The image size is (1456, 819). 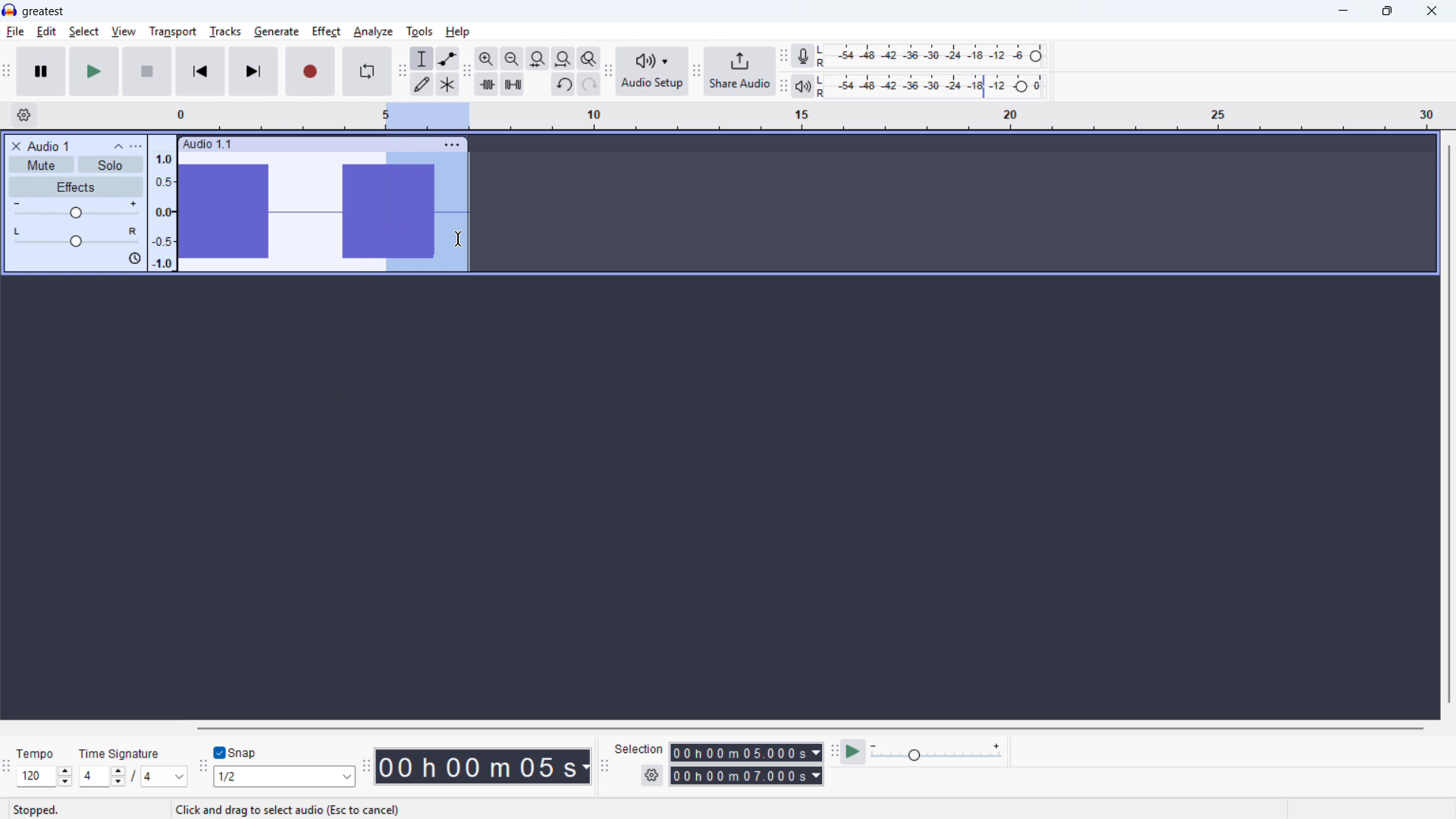 I want to click on Set time signature , so click(x=134, y=777).